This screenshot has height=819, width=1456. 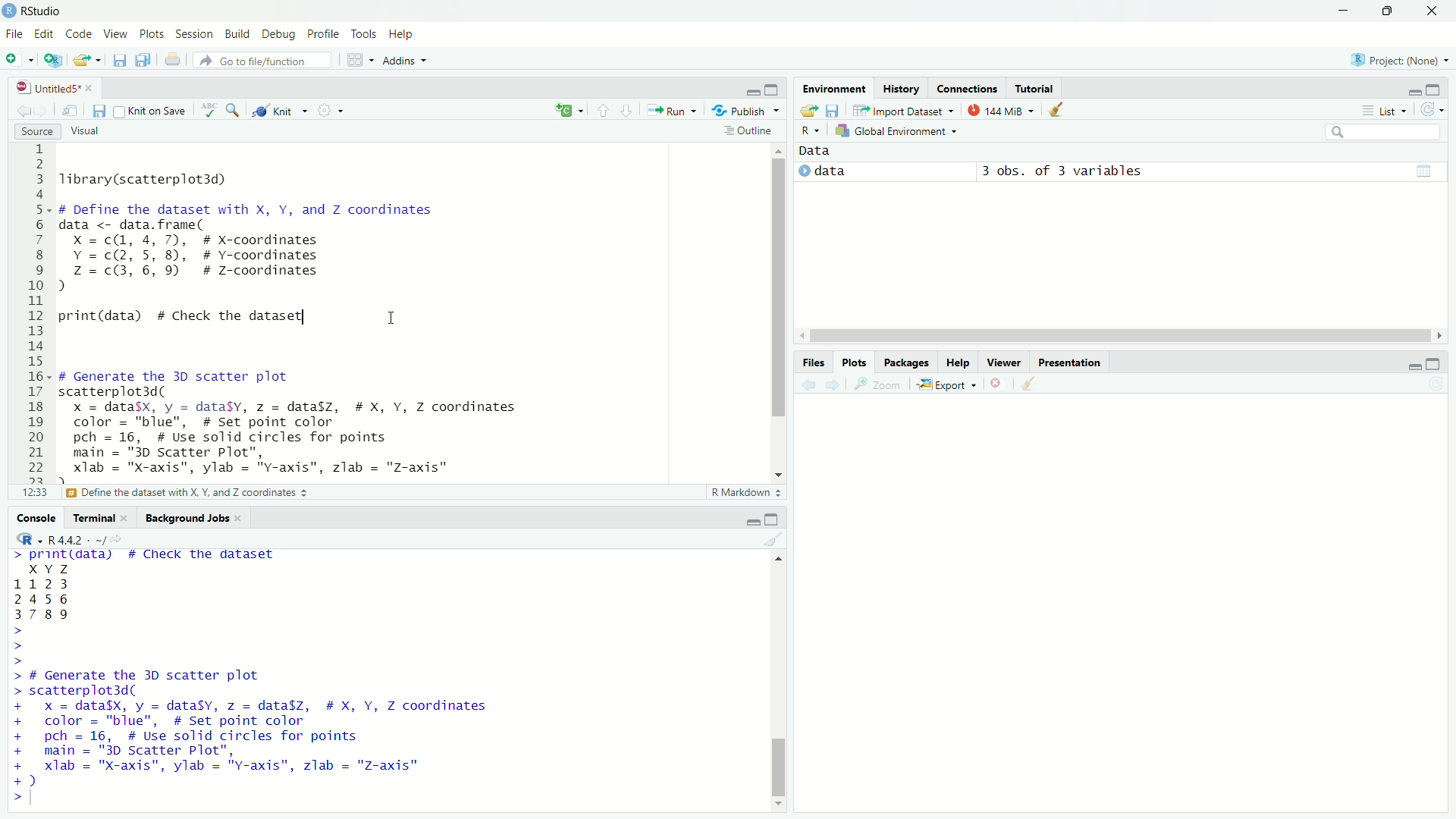 What do you see at coordinates (12, 800) in the screenshot?
I see `prompt  cursor` at bounding box center [12, 800].